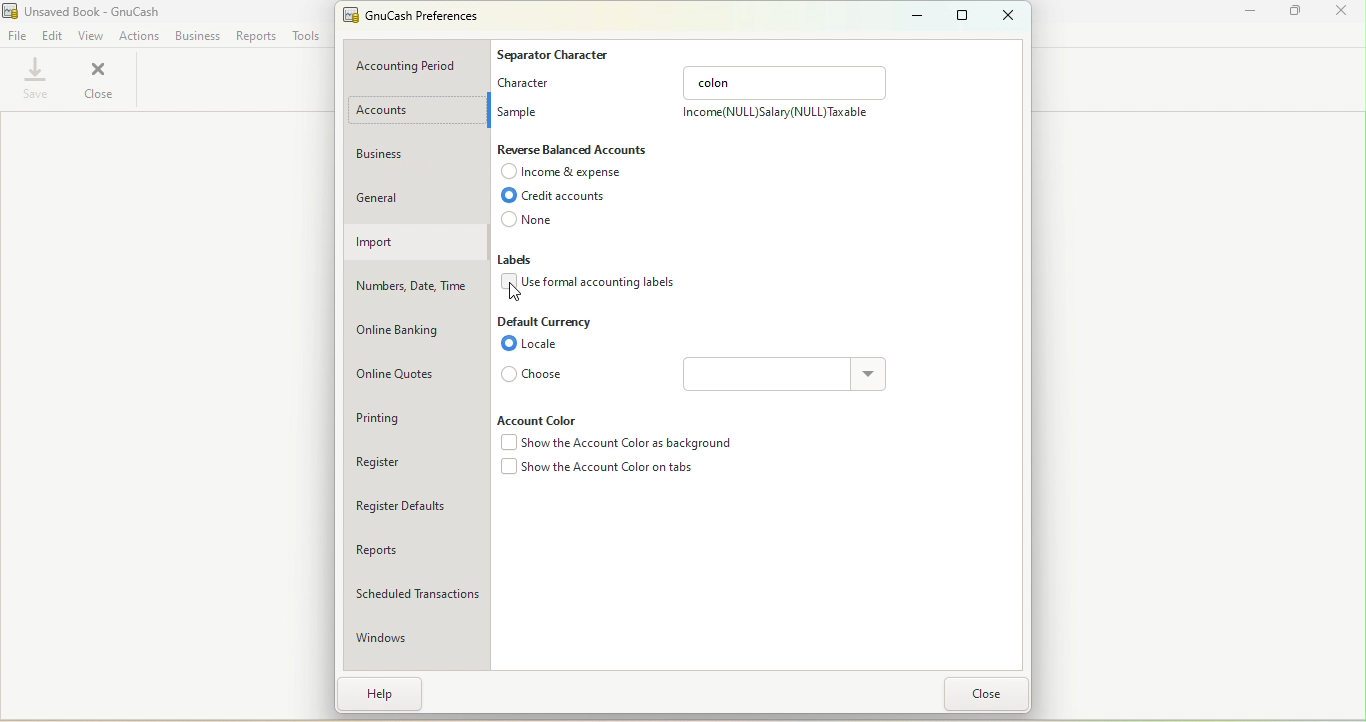 Image resolution: width=1366 pixels, height=722 pixels. Describe the element at coordinates (409, 417) in the screenshot. I see `Printing` at that location.